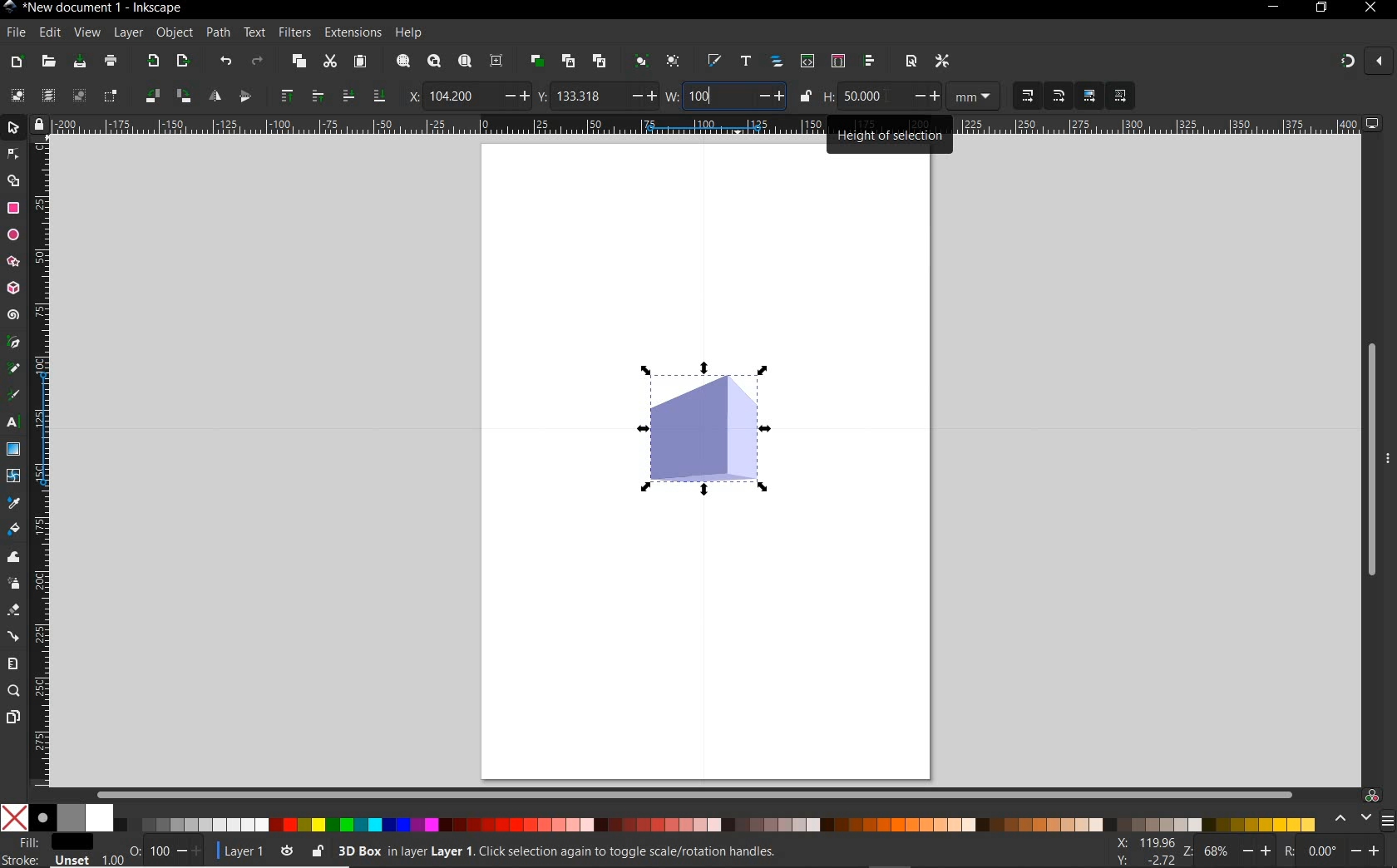  Describe the element at coordinates (15, 637) in the screenshot. I see `connector tool` at that location.